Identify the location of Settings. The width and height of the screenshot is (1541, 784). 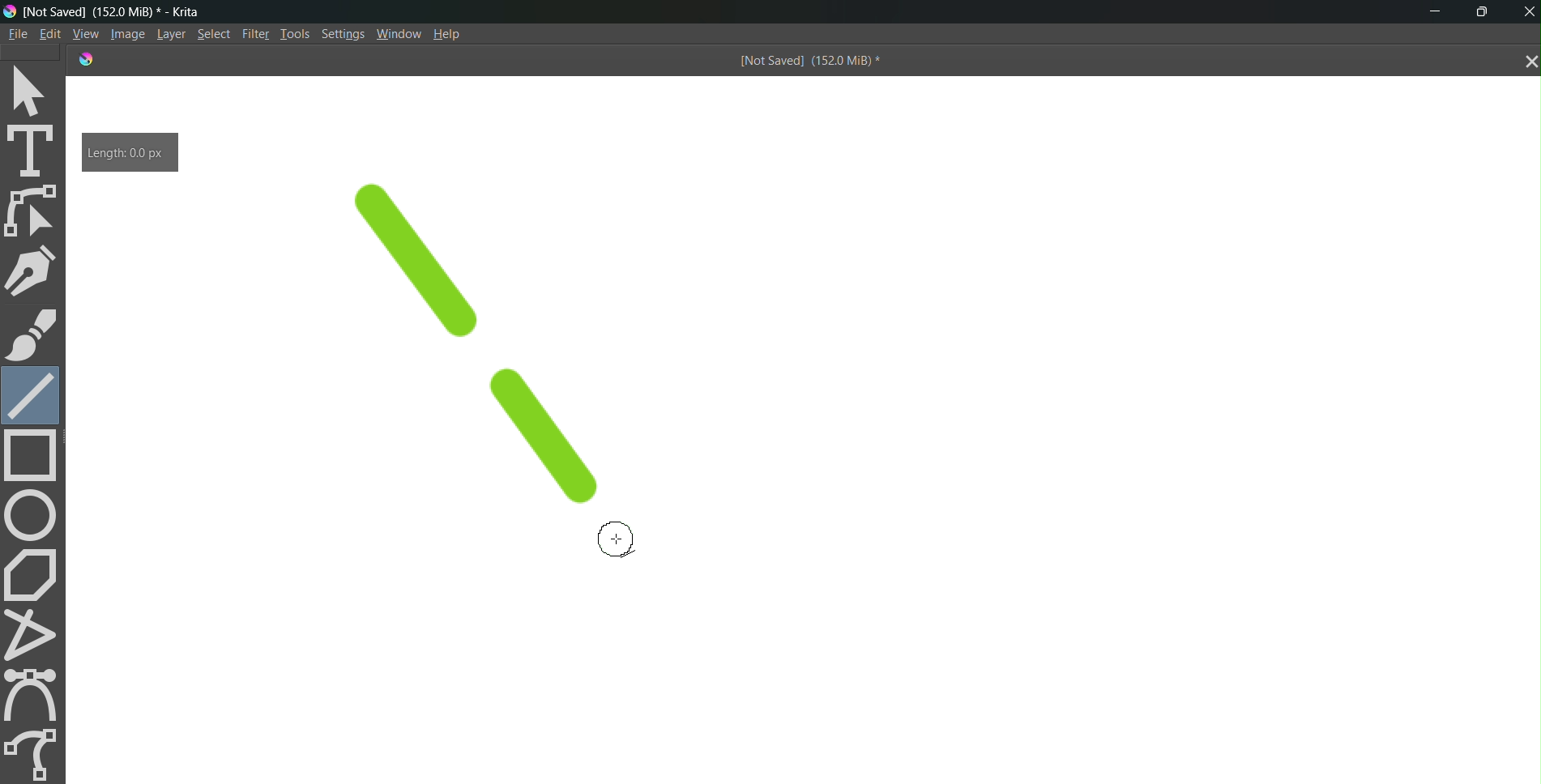
(344, 36).